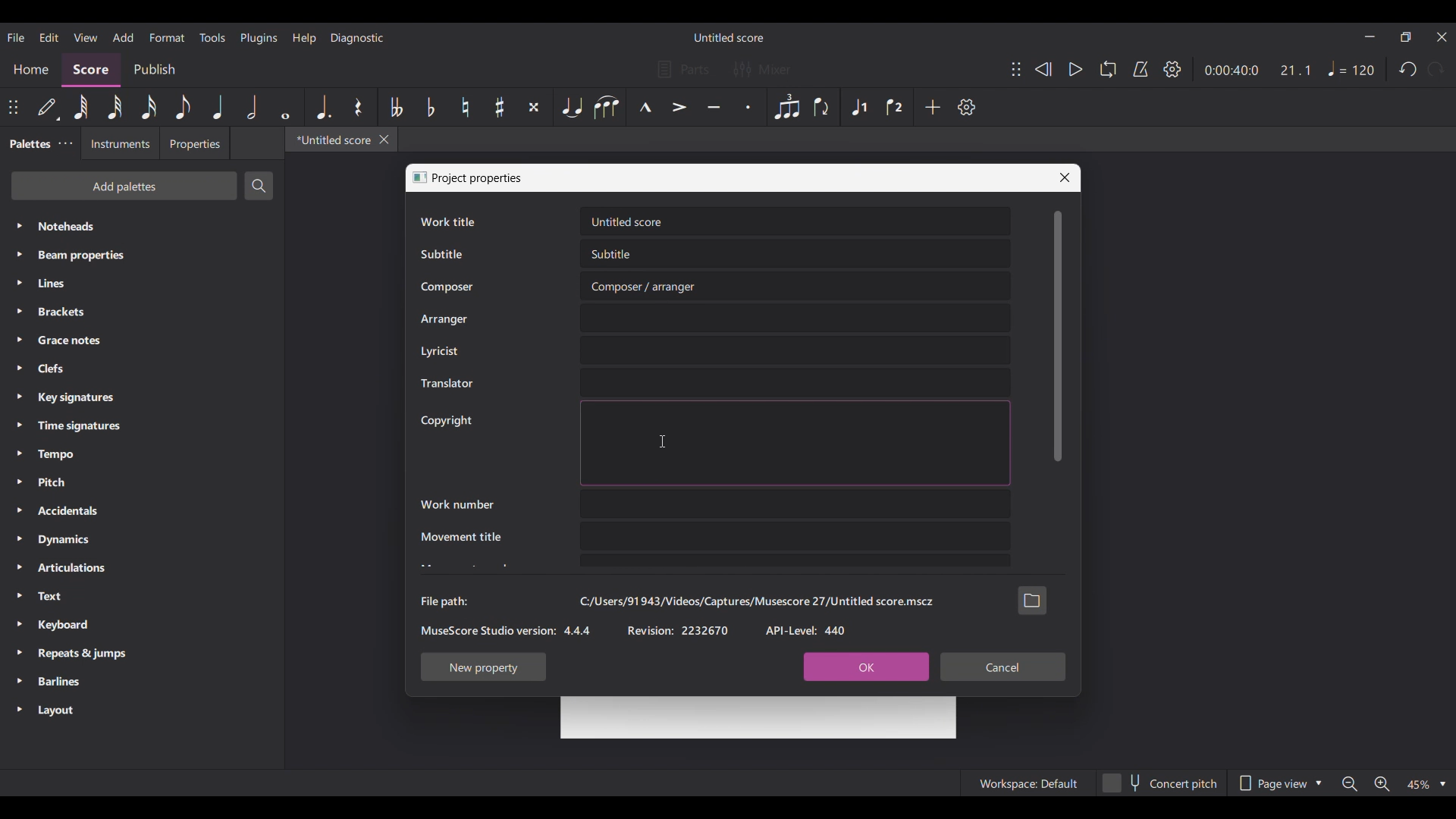 Image resolution: width=1456 pixels, height=819 pixels. Describe the element at coordinates (500, 107) in the screenshot. I see `Toggle sharp` at that location.